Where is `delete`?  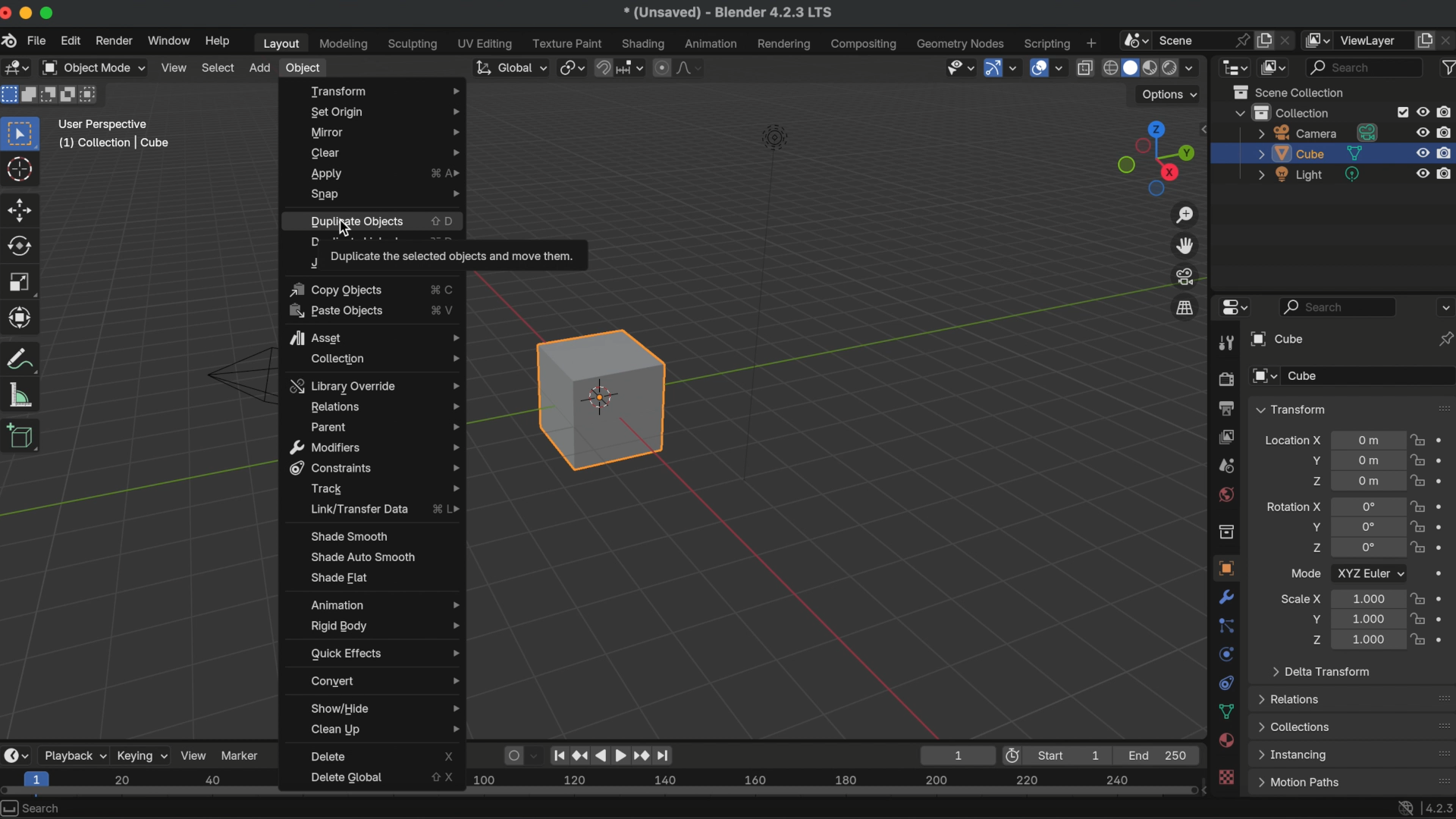
delete is located at coordinates (383, 757).